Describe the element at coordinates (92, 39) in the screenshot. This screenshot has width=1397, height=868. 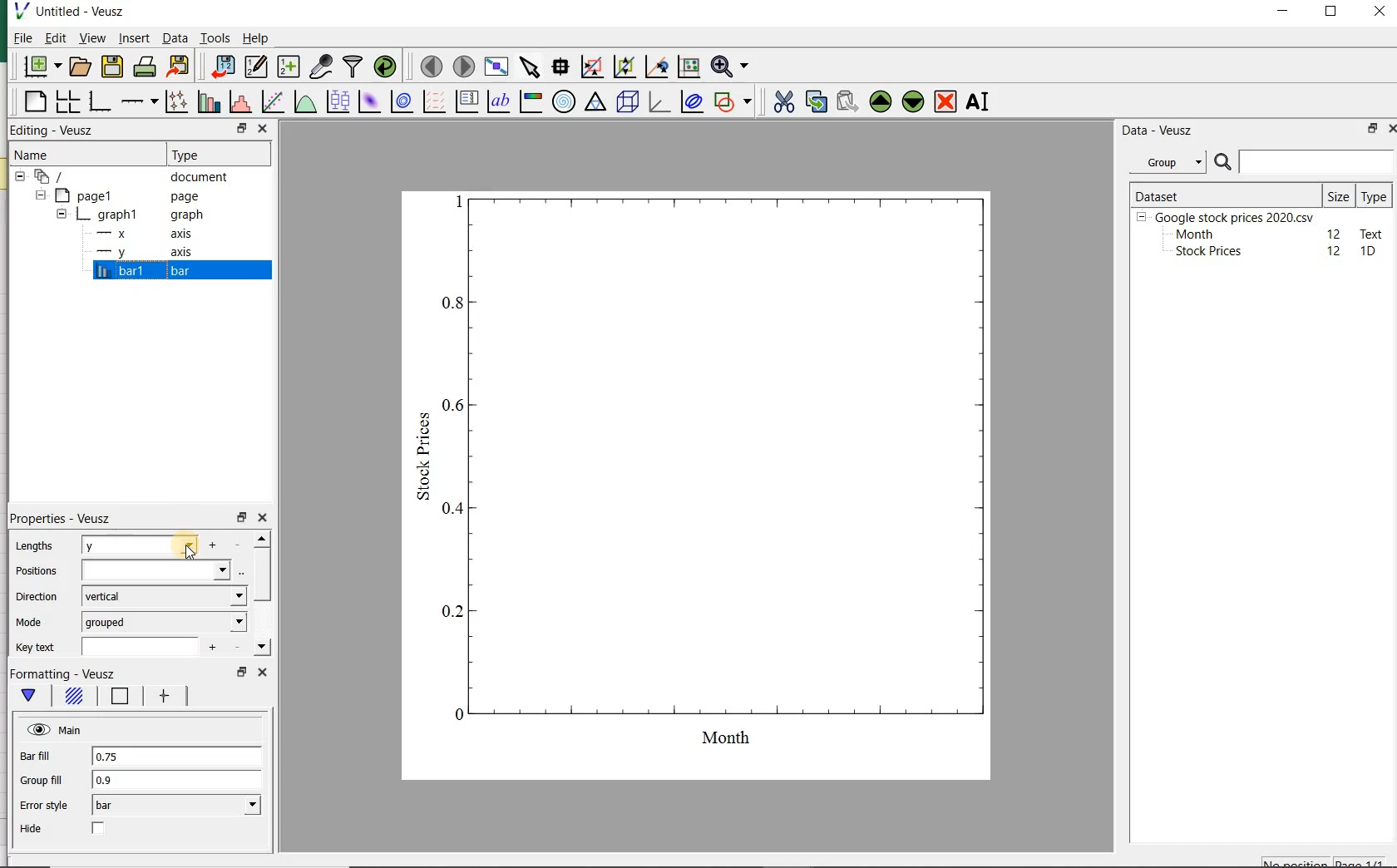
I see `view` at that location.